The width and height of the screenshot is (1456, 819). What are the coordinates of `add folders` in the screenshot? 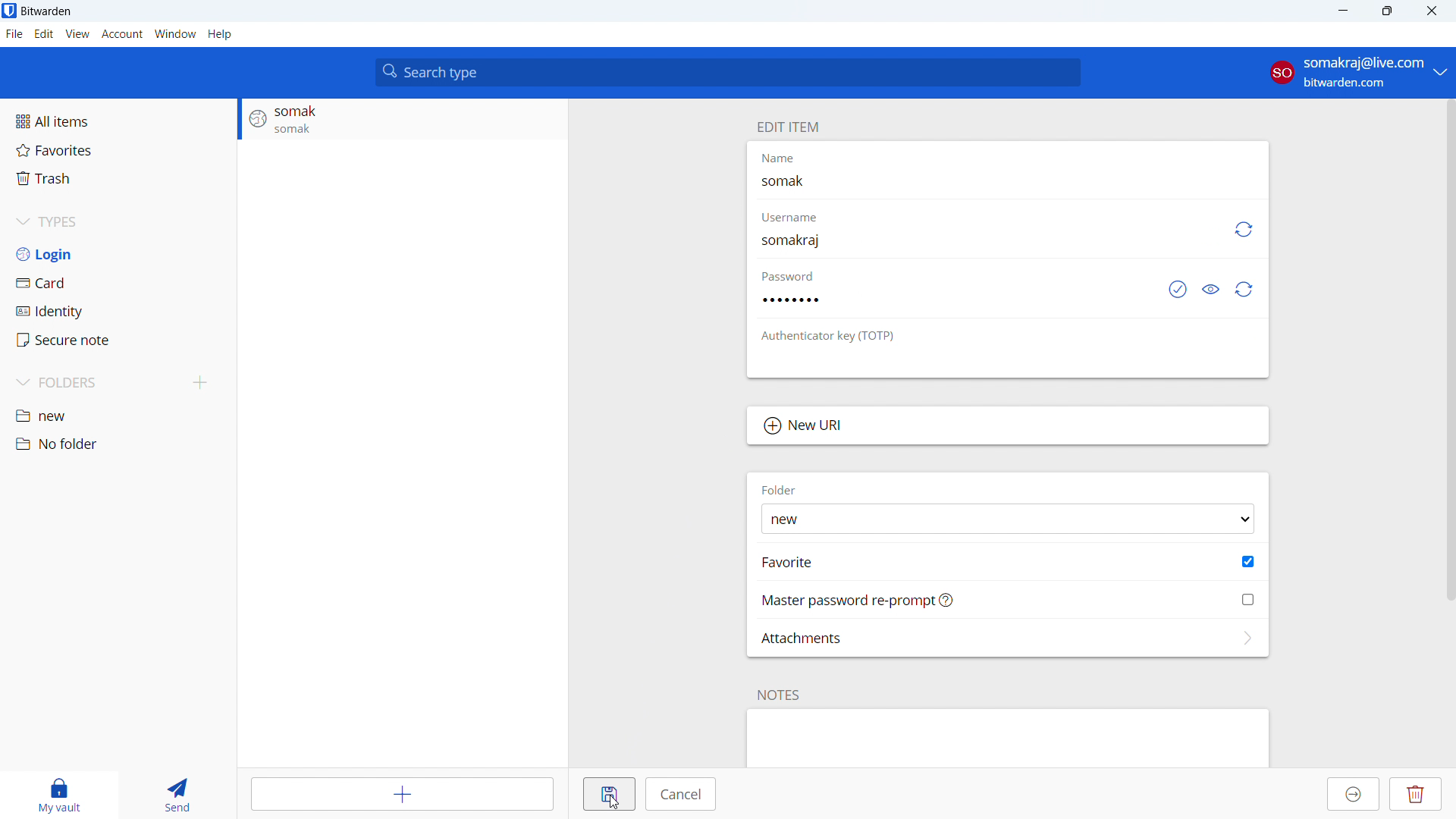 It's located at (201, 383).